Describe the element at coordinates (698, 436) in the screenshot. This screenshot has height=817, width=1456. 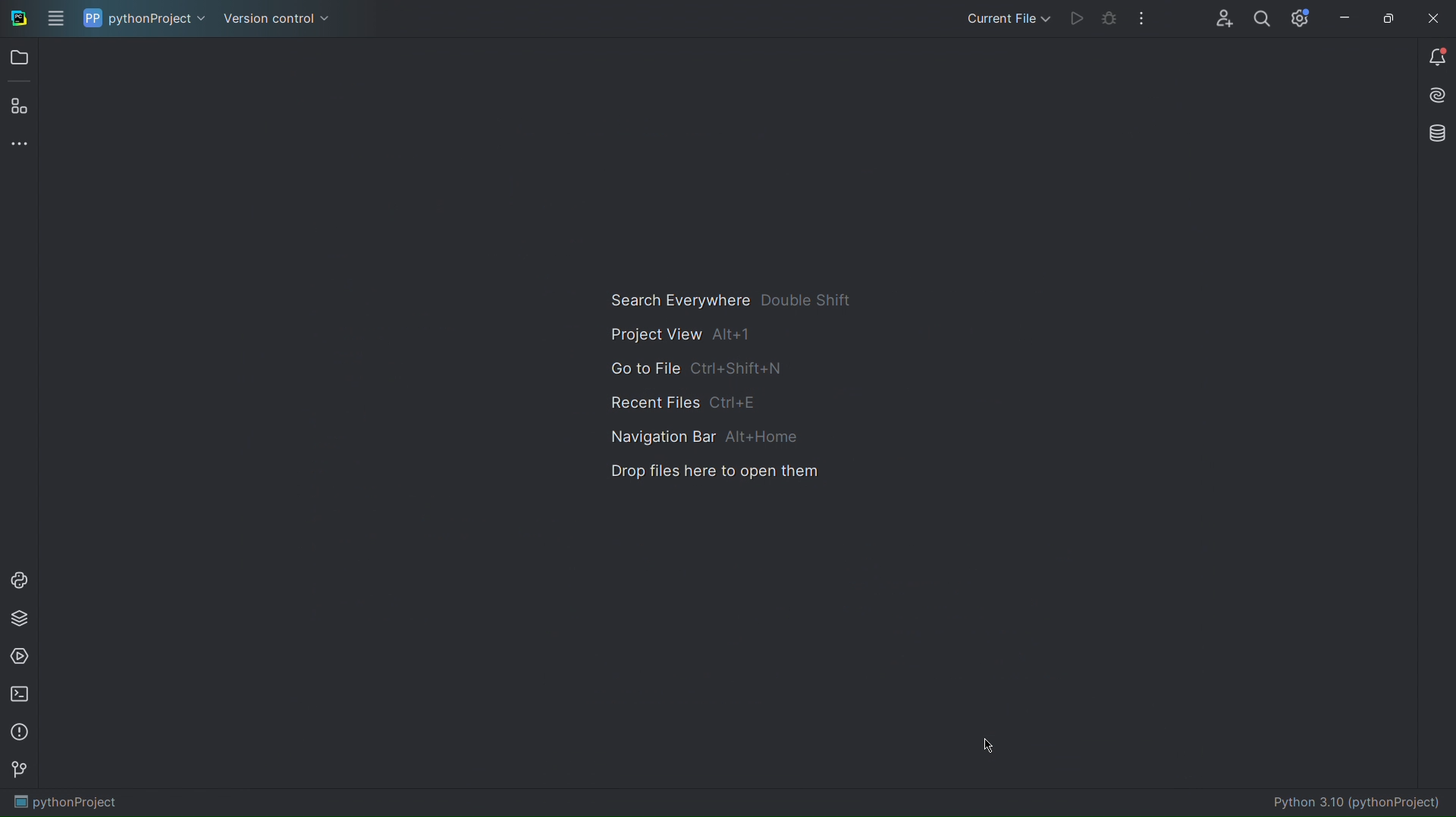
I see `Navigation Bar` at that location.